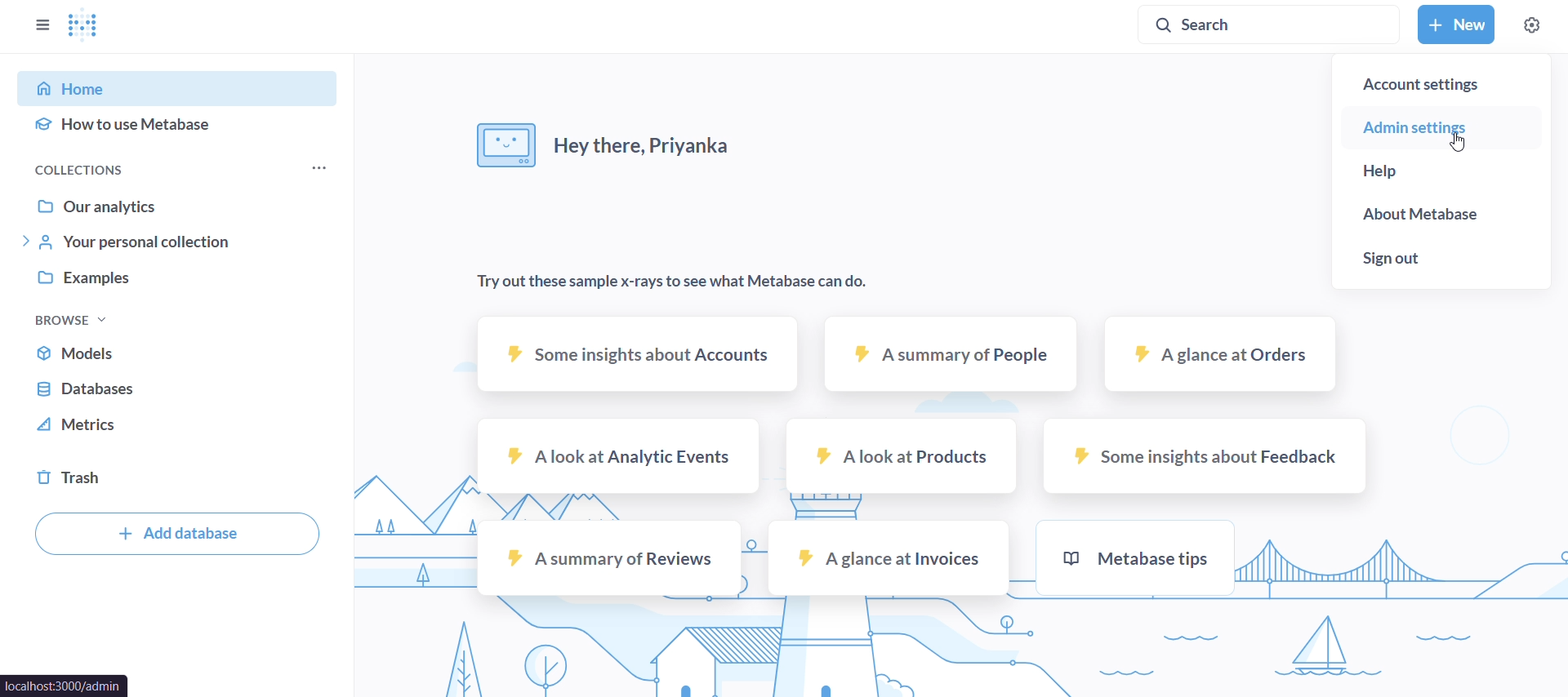 The image size is (1568, 697). Describe the element at coordinates (1530, 27) in the screenshot. I see `settings` at that location.